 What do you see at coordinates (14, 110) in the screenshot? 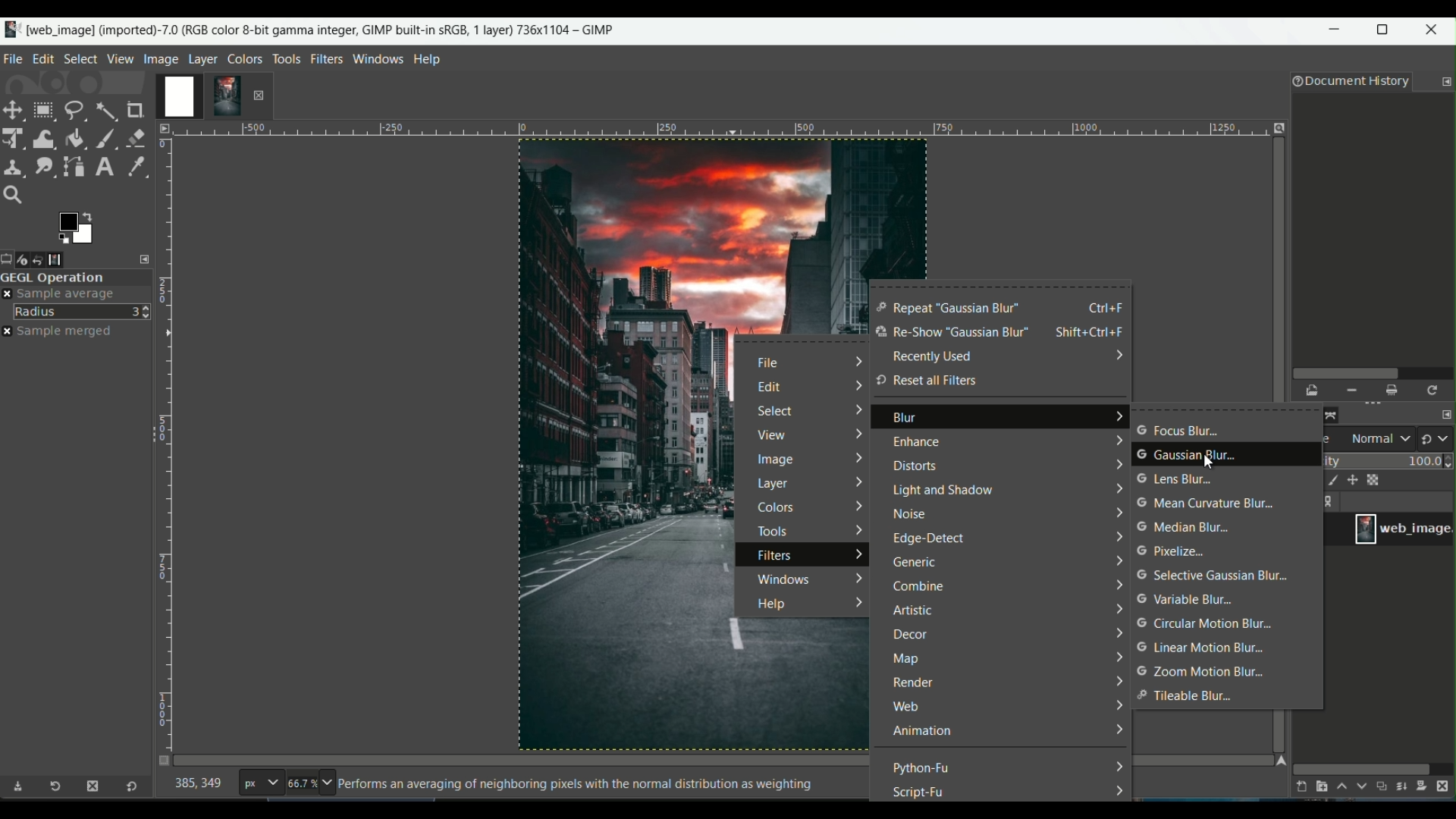
I see `move tool` at bounding box center [14, 110].